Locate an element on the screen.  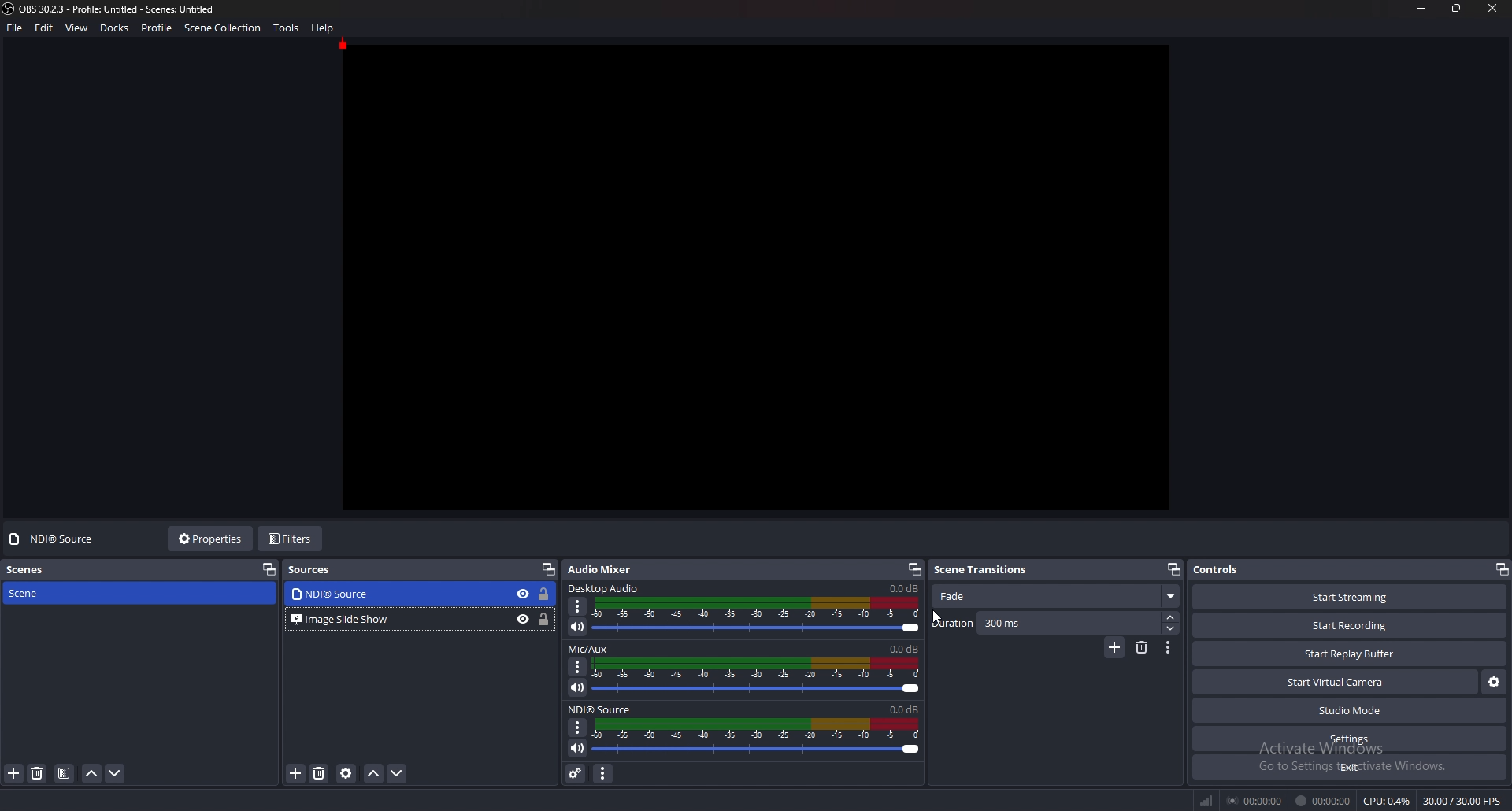
pop out is located at coordinates (1174, 569).